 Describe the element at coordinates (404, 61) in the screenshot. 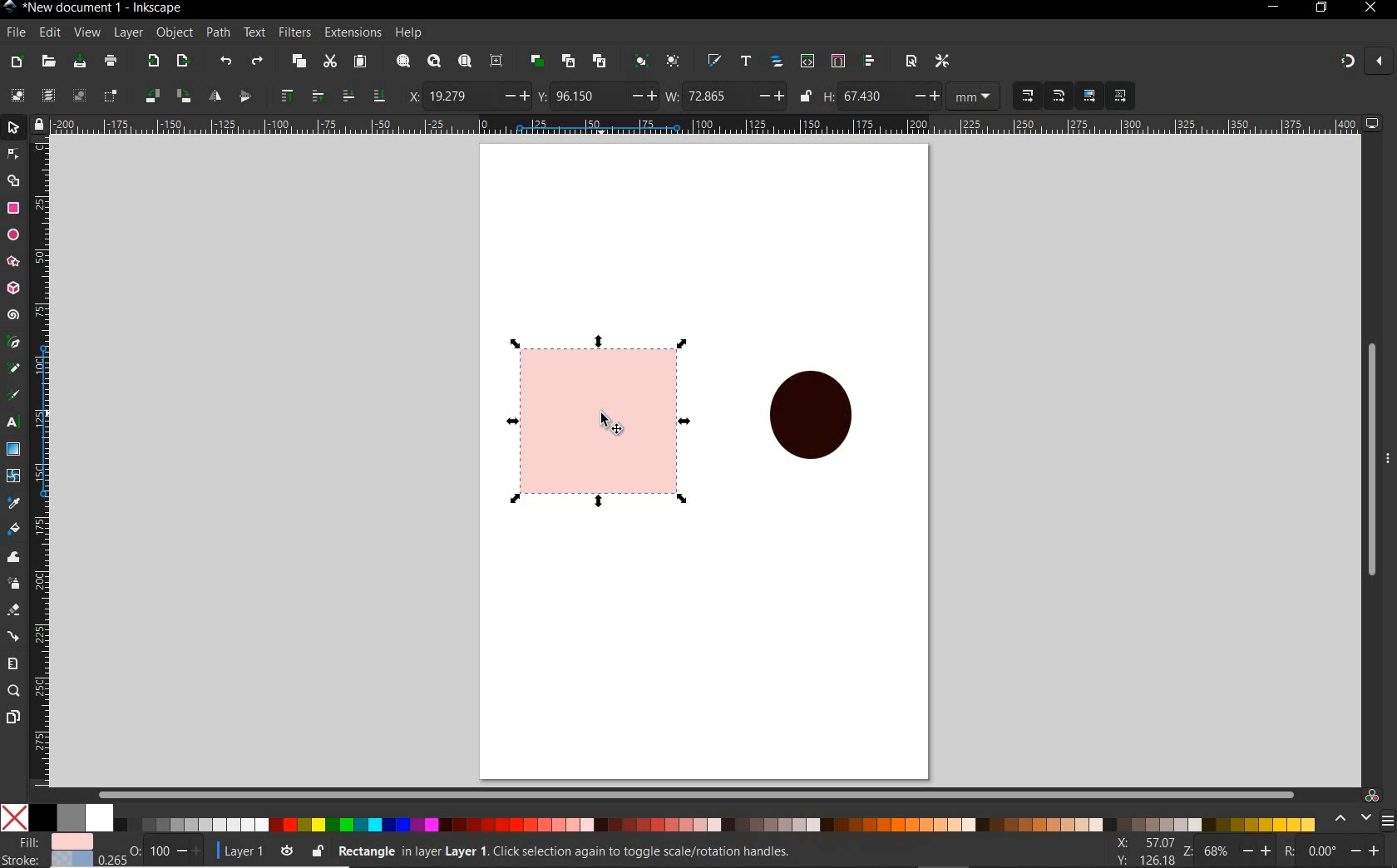

I see `zoom selection` at that location.